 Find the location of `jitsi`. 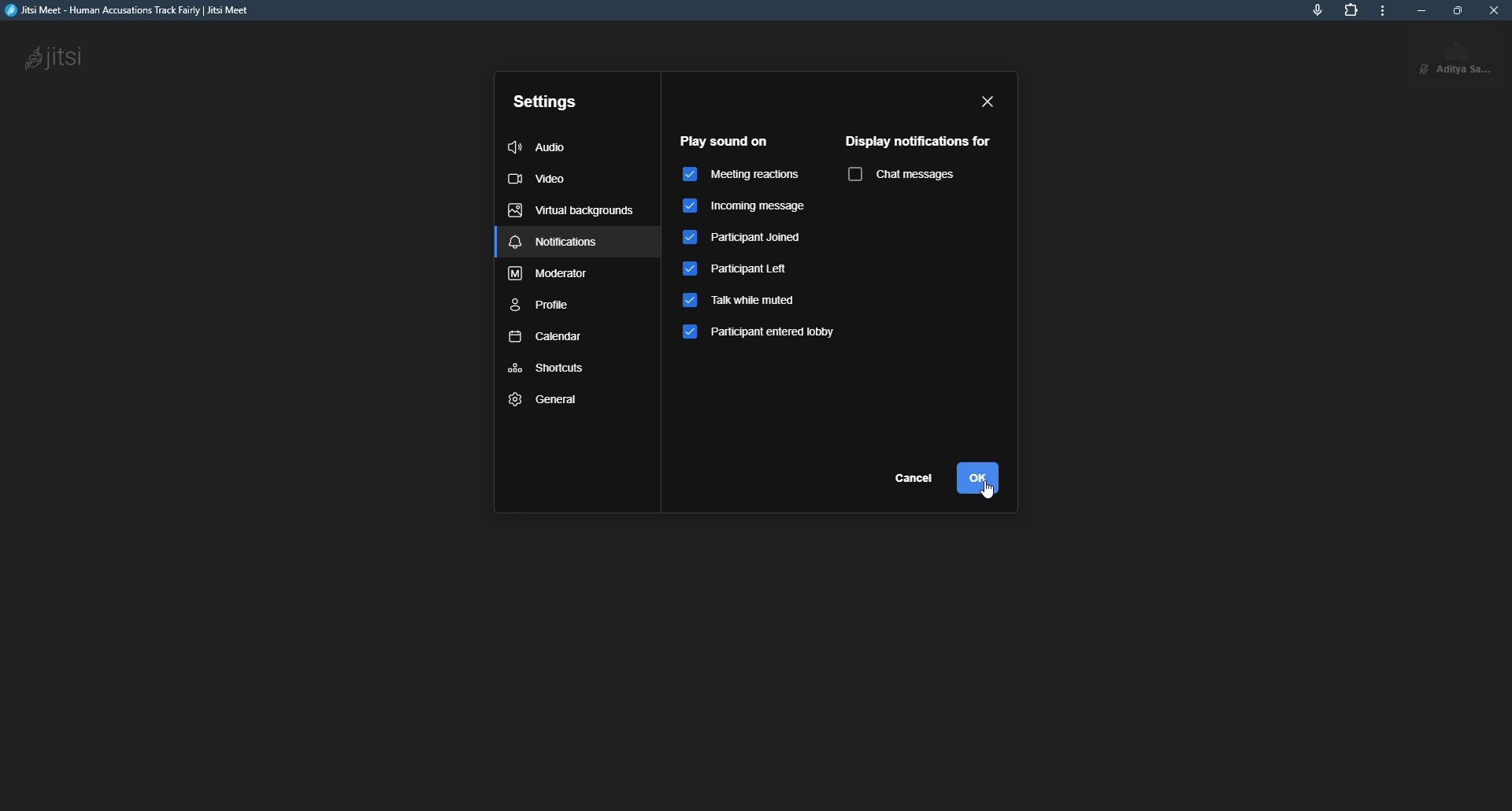

jitsi is located at coordinates (54, 61).